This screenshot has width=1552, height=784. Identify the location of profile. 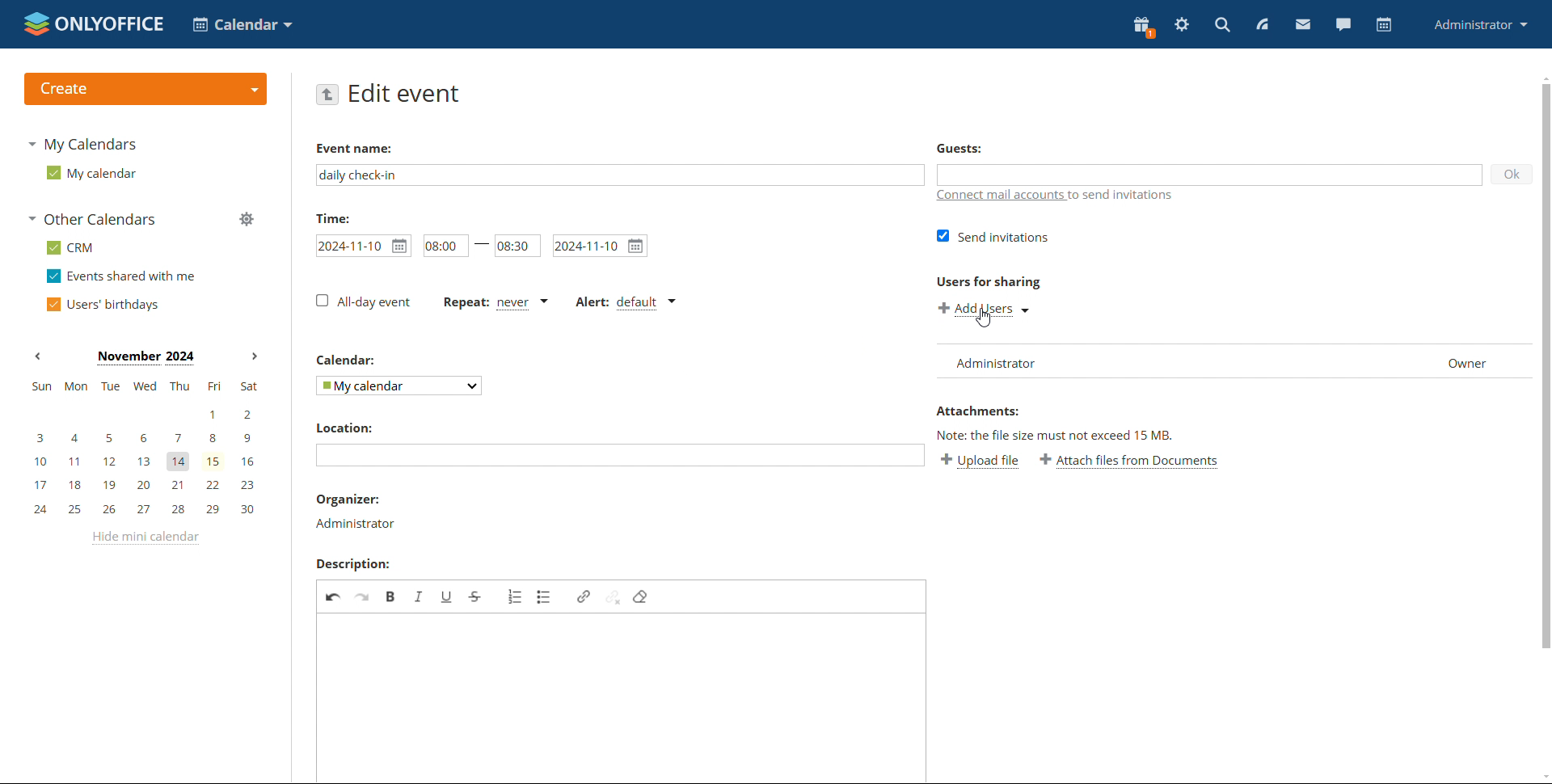
(1482, 24).